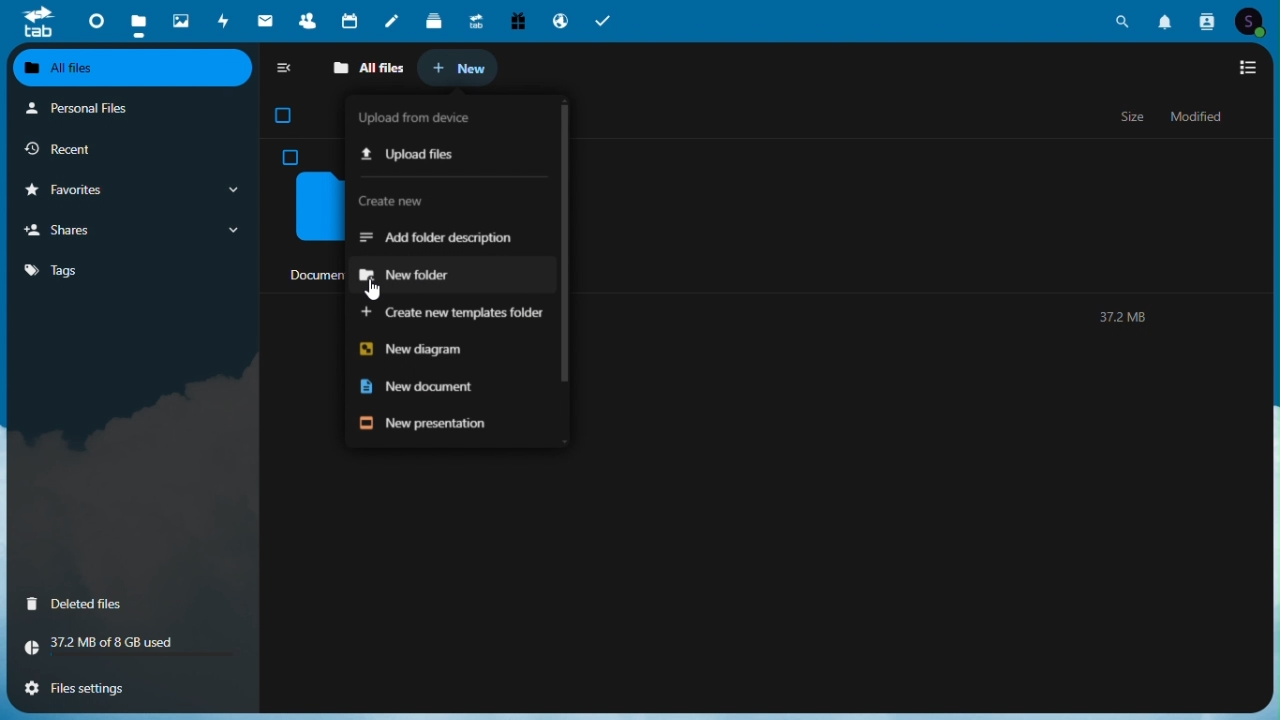 Image resolution: width=1280 pixels, height=720 pixels. What do you see at coordinates (128, 269) in the screenshot?
I see `Tags` at bounding box center [128, 269].